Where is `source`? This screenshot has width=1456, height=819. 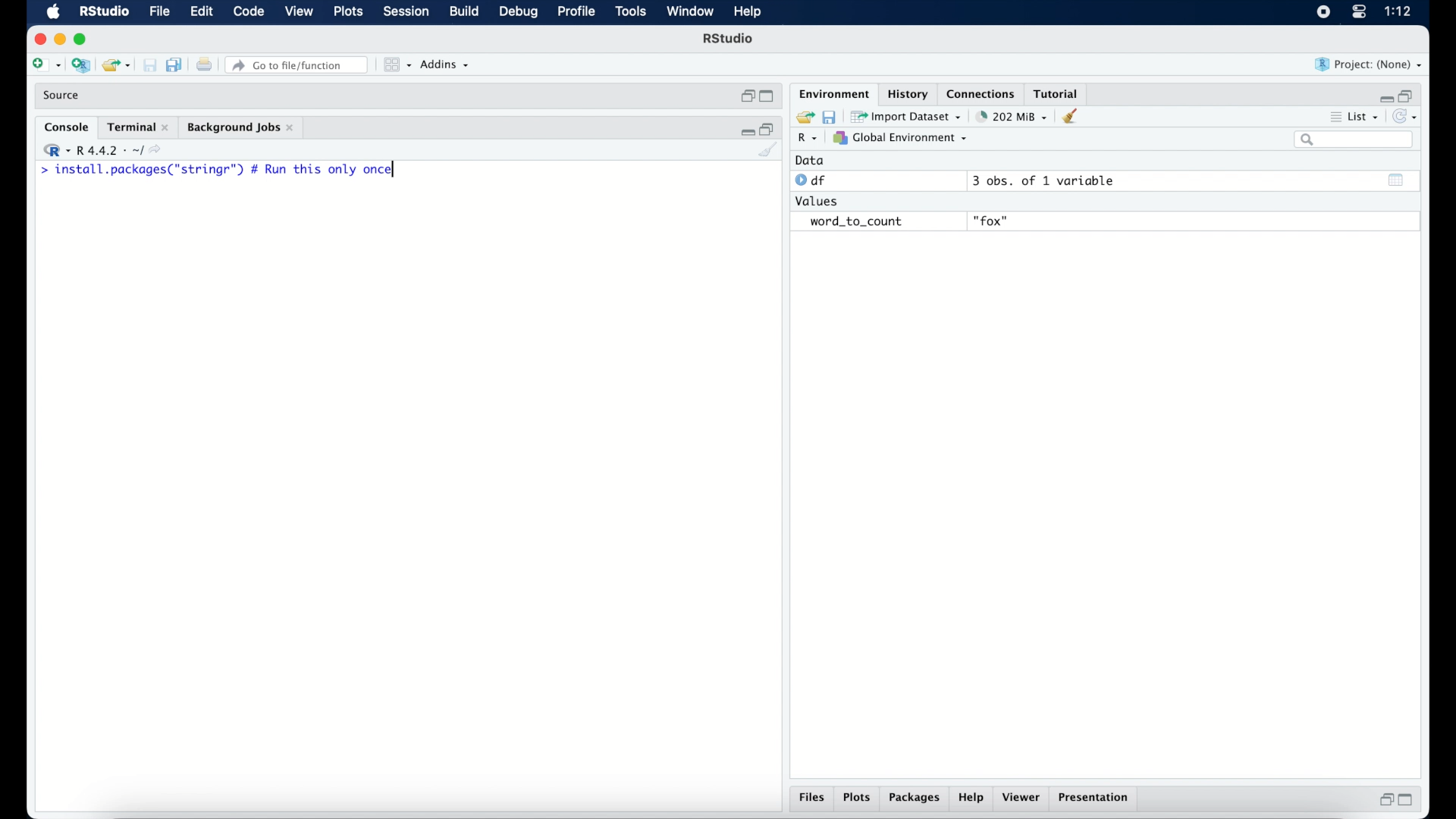
source is located at coordinates (63, 96).